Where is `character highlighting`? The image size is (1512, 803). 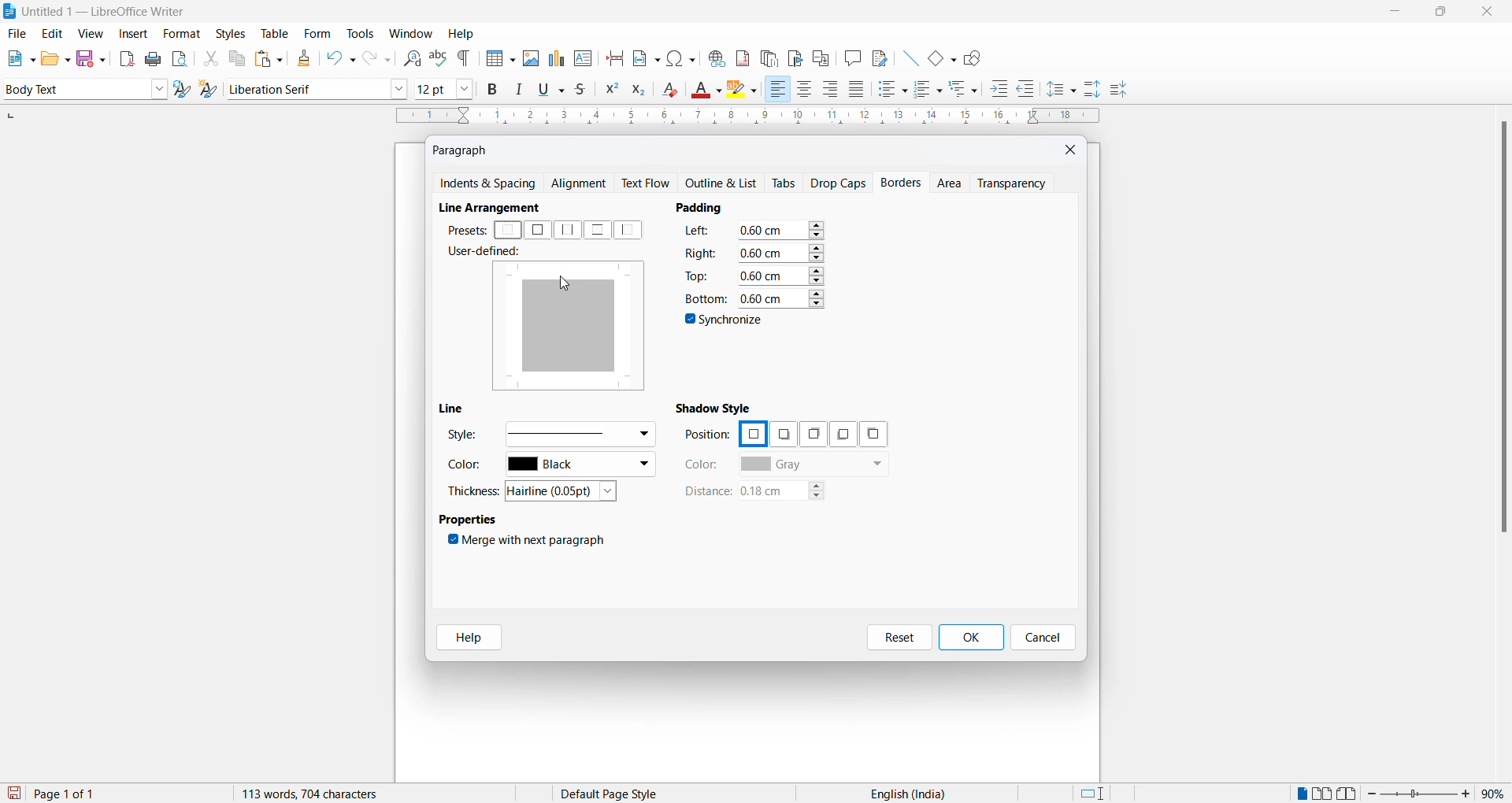 character highlighting is located at coordinates (746, 91).